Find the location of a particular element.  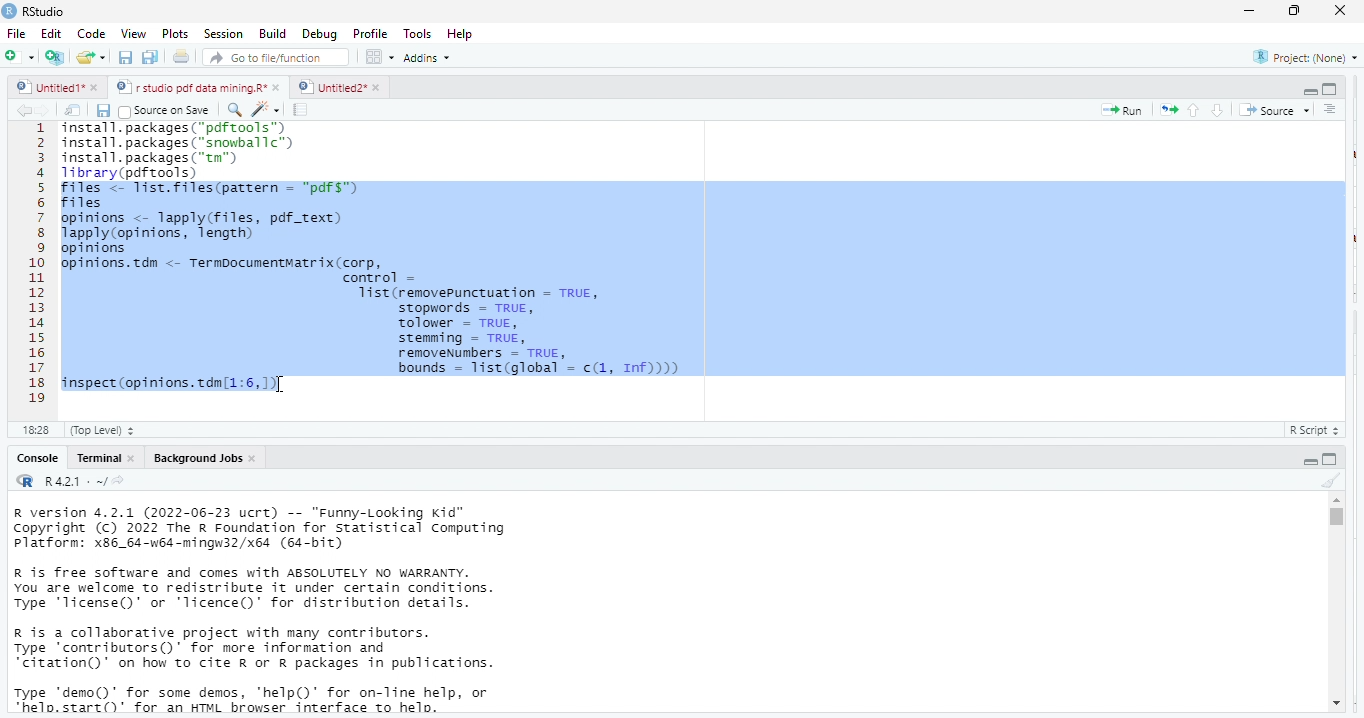

source is located at coordinates (1272, 110).